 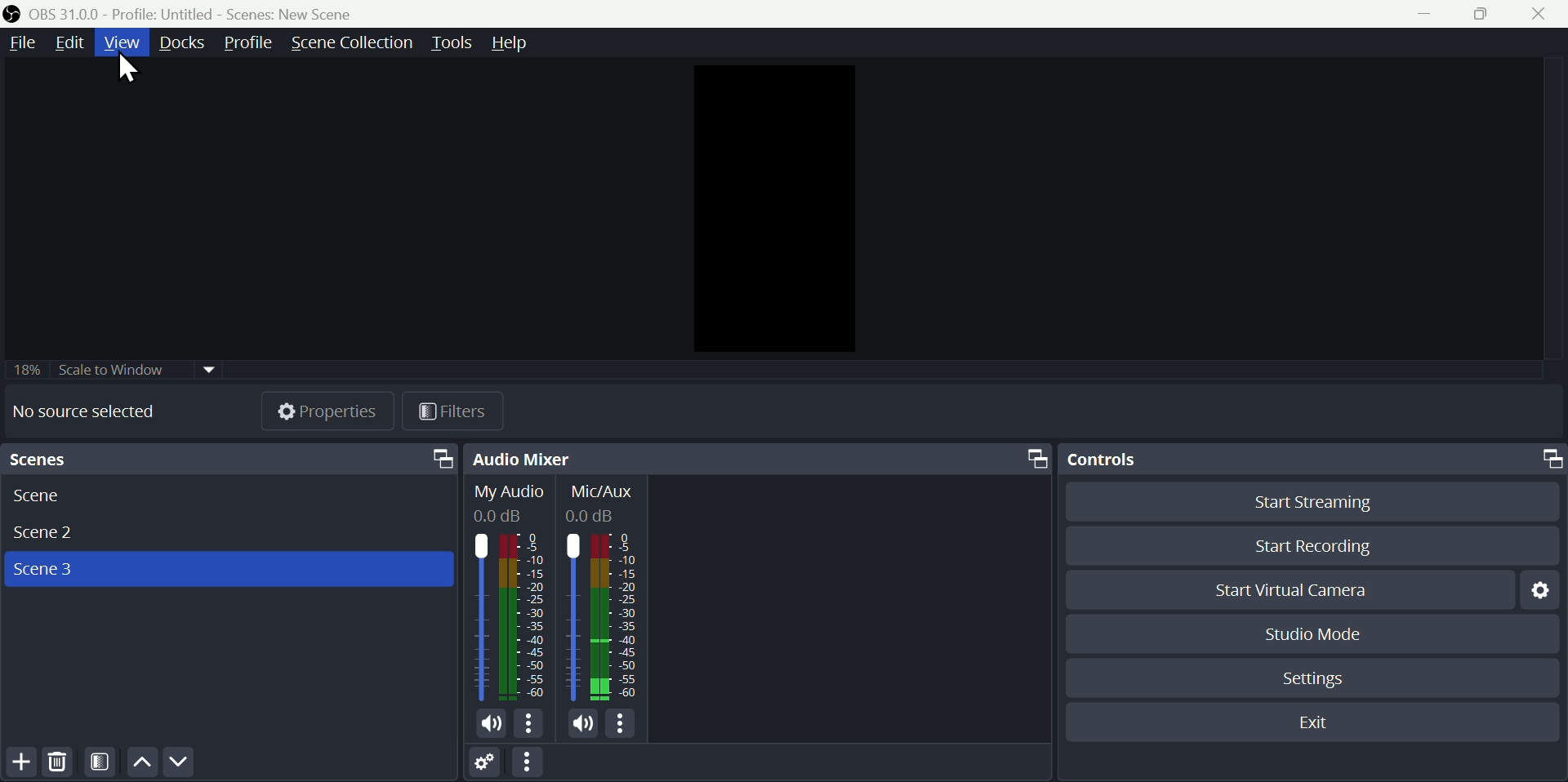 What do you see at coordinates (1290, 587) in the screenshot?
I see `Start virtual camera` at bounding box center [1290, 587].